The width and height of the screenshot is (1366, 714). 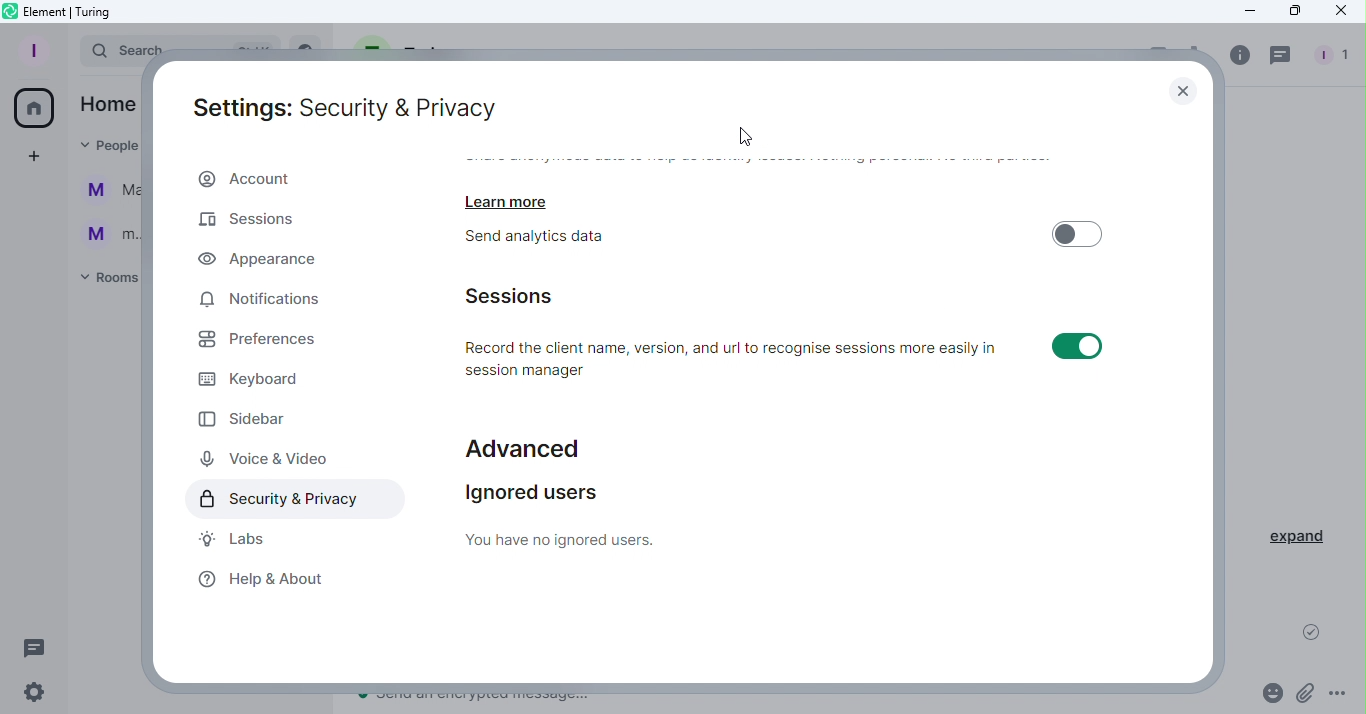 What do you see at coordinates (289, 178) in the screenshot?
I see `Account` at bounding box center [289, 178].